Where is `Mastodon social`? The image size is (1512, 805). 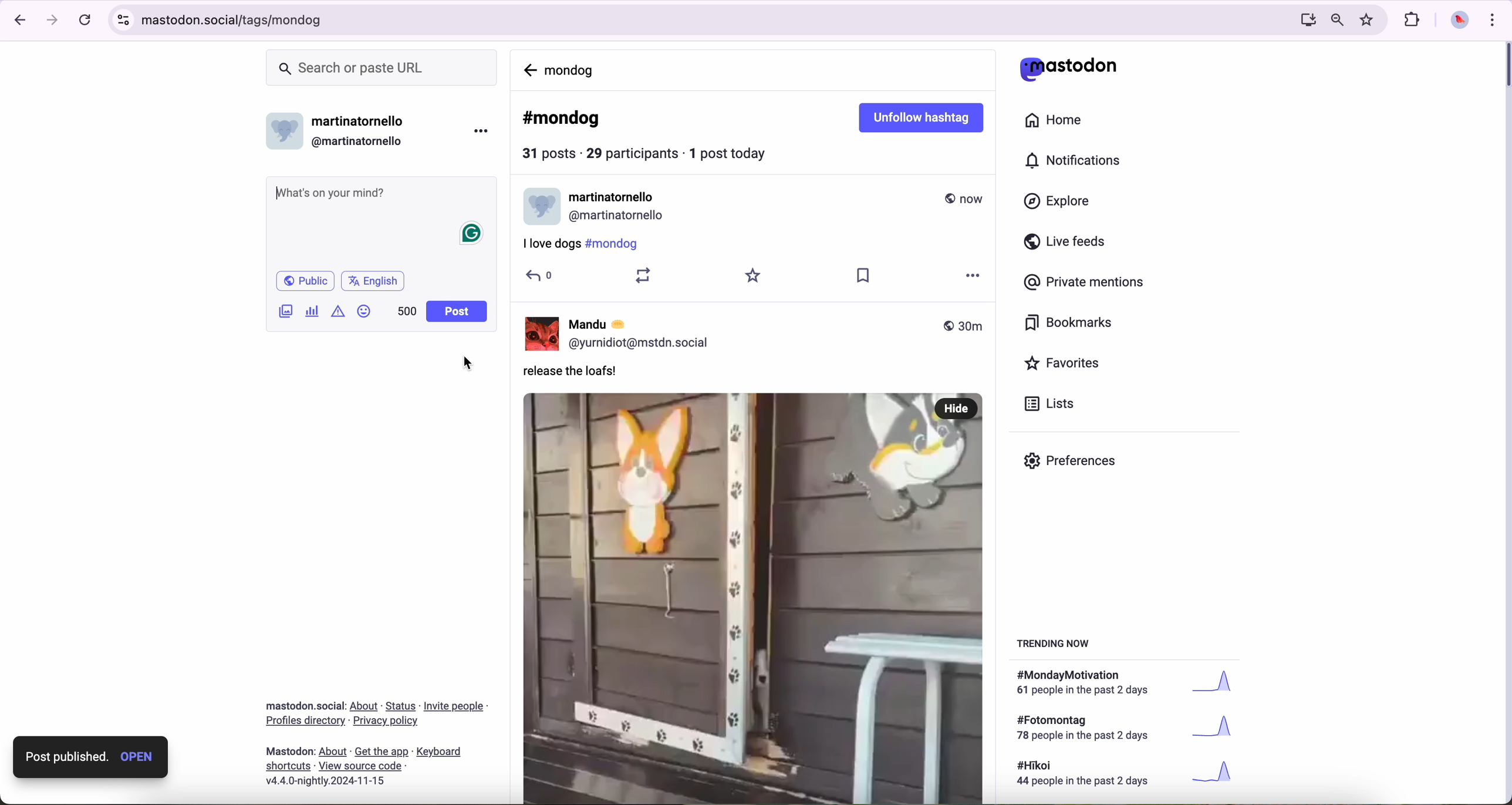 Mastodon social is located at coordinates (302, 706).